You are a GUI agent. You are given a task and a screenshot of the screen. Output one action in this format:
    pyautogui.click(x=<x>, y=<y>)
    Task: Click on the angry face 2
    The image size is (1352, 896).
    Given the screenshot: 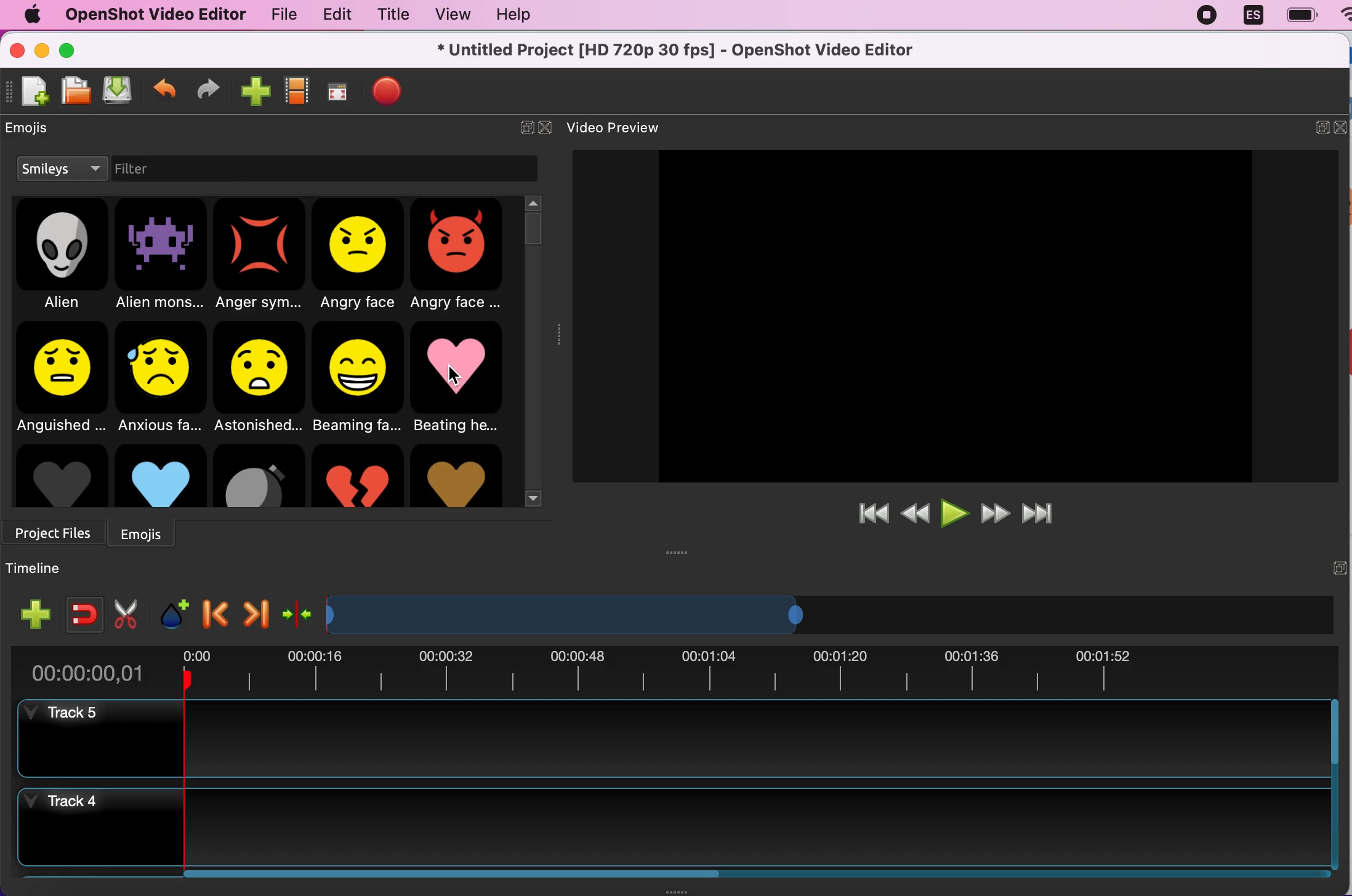 What is the action you would take?
    pyautogui.click(x=461, y=257)
    